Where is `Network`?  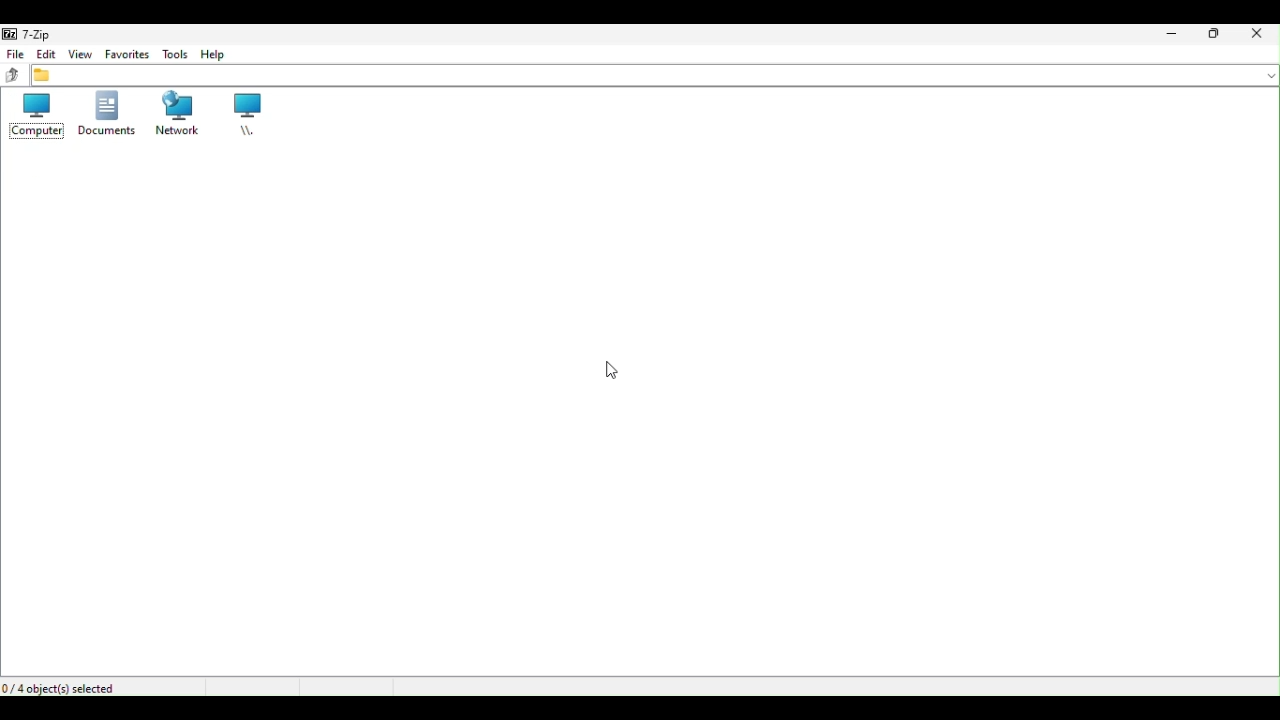
Network is located at coordinates (182, 116).